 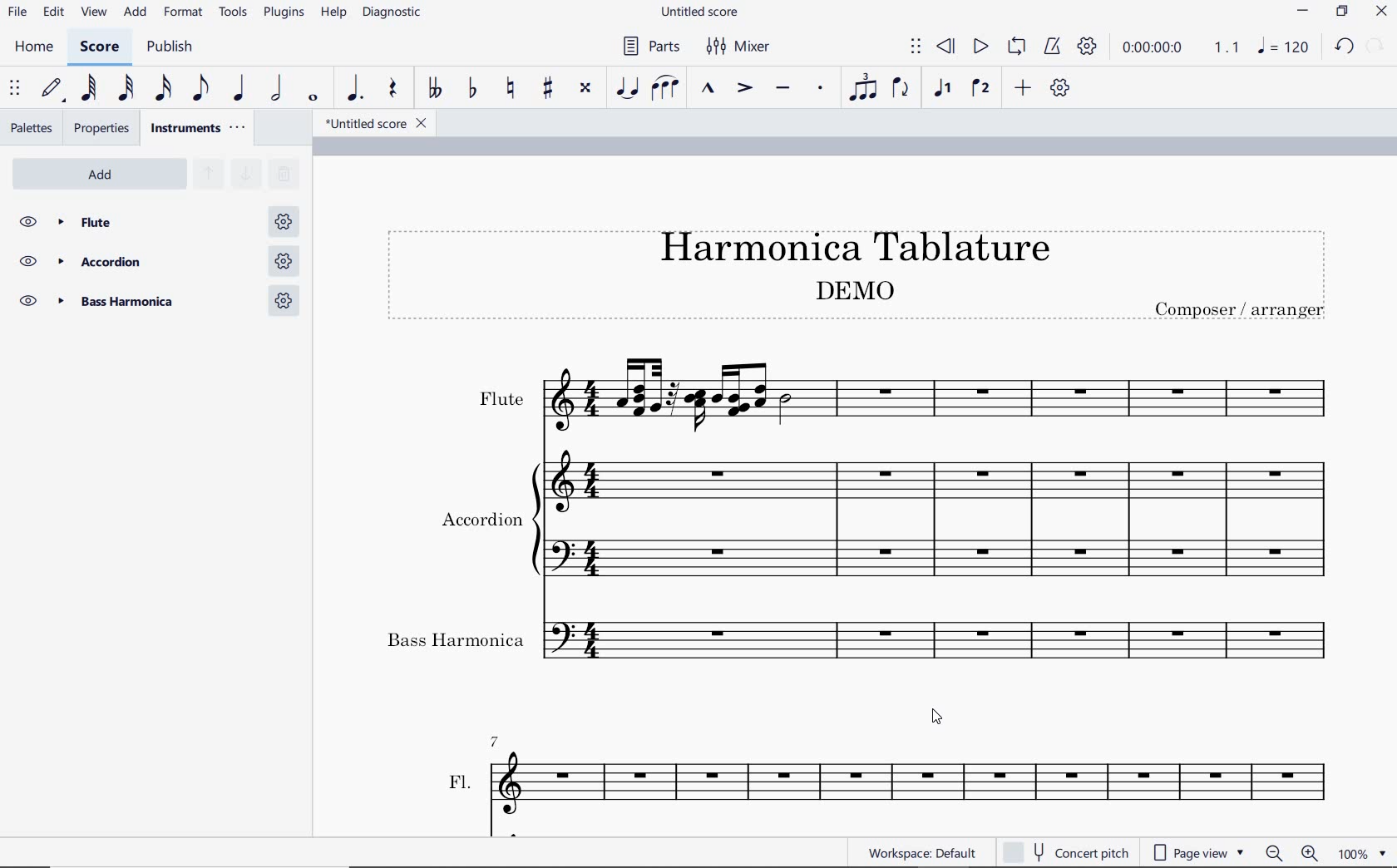 I want to click on HOME, so click(x=34, y=49).